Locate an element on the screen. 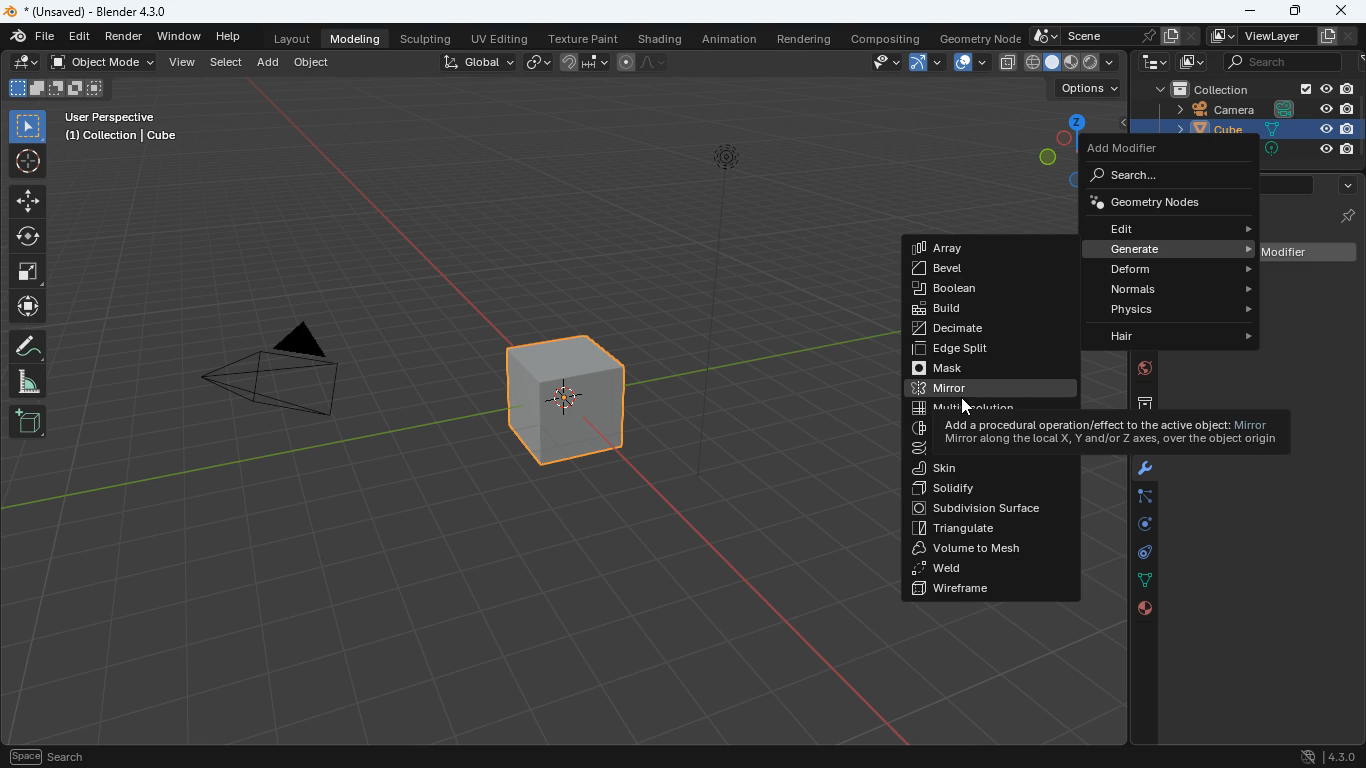  geometry nodes is located at coordinates (1163, 205).